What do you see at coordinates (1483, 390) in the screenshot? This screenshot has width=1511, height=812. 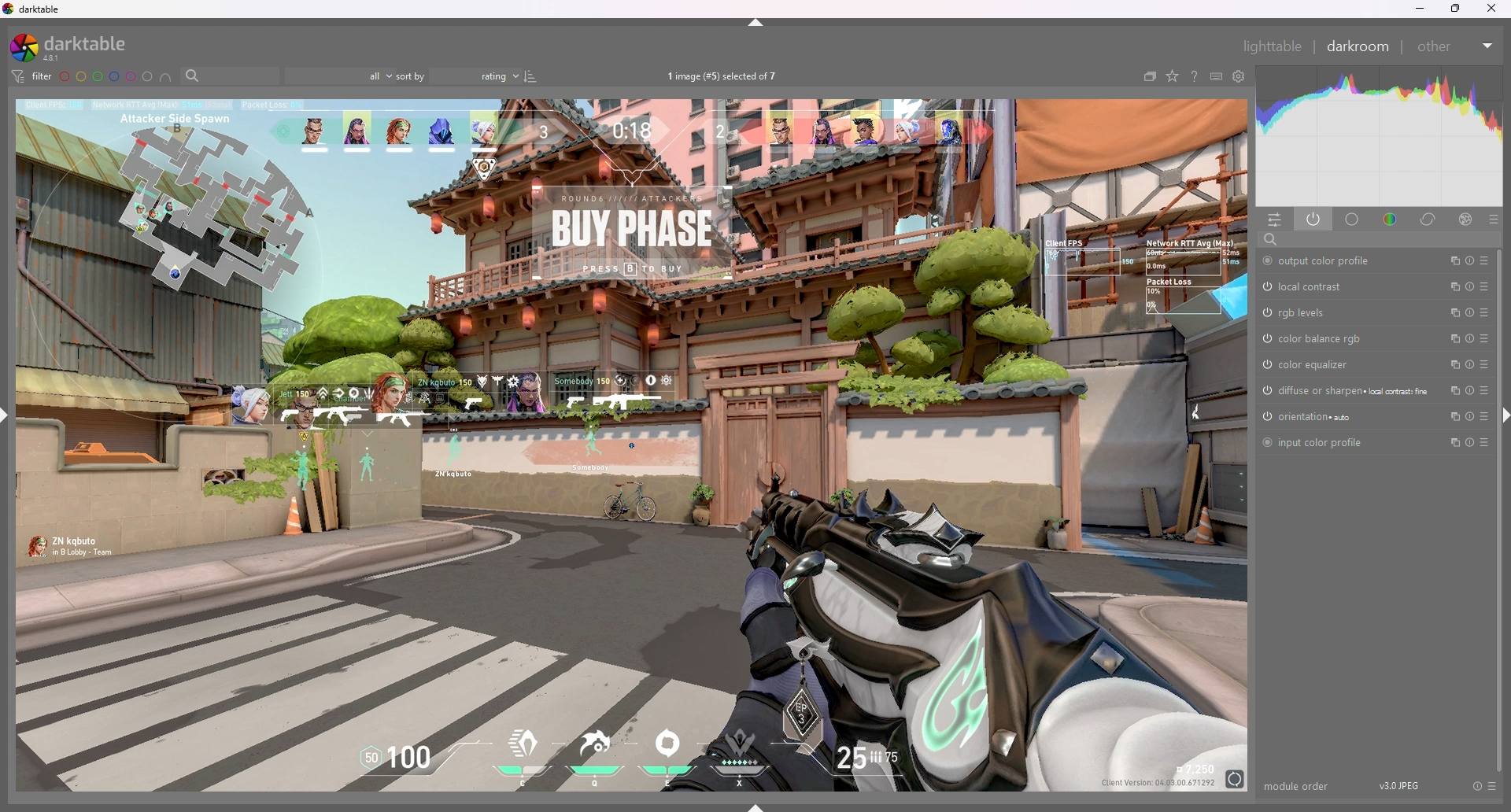 I see `presets` at bounding box center [1483, 390].